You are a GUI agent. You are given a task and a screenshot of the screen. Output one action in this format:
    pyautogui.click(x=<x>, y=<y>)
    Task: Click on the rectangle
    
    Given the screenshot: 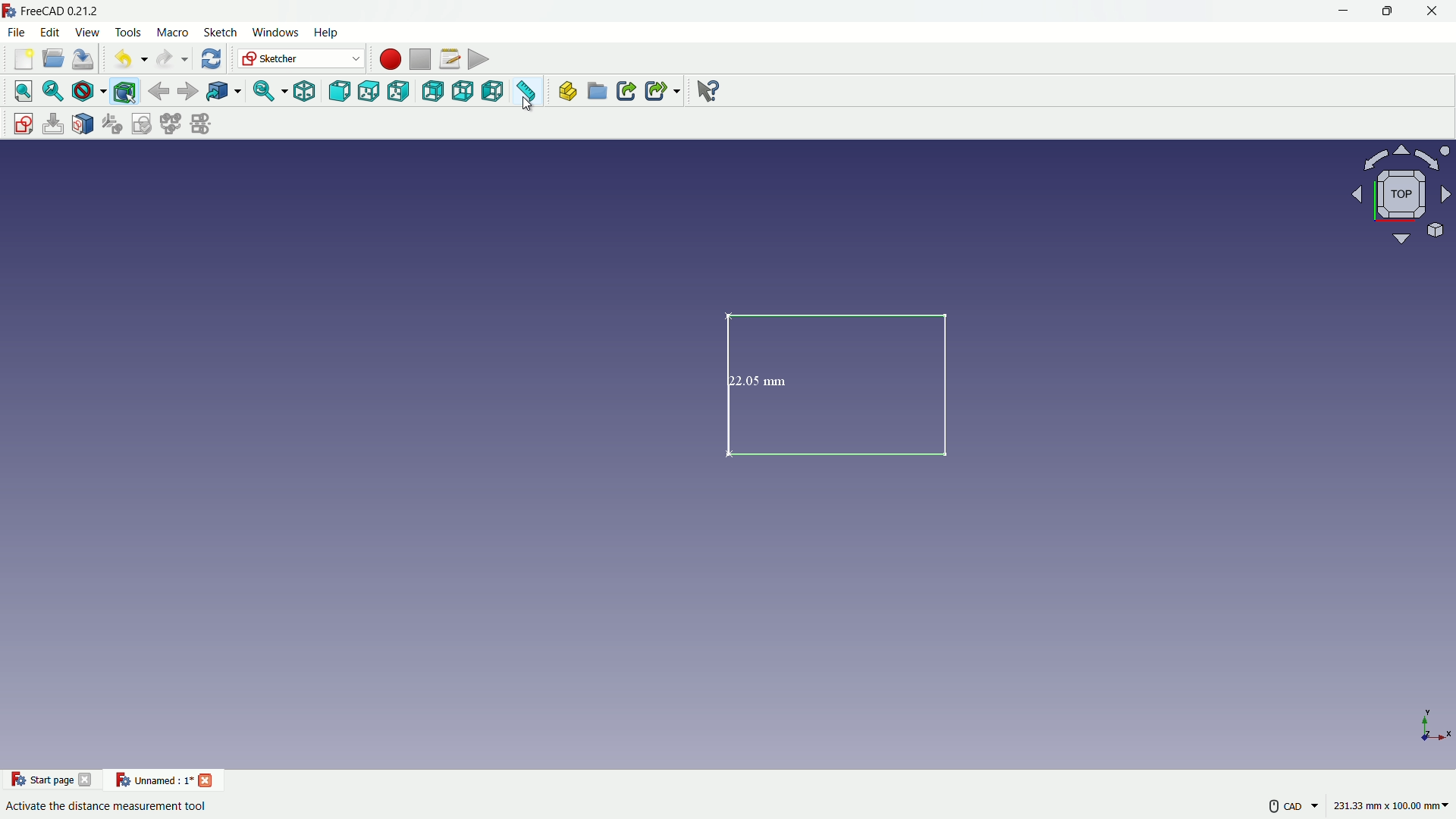 What is the action you would take?
    pyautogui.click(x=843, y=388)
    